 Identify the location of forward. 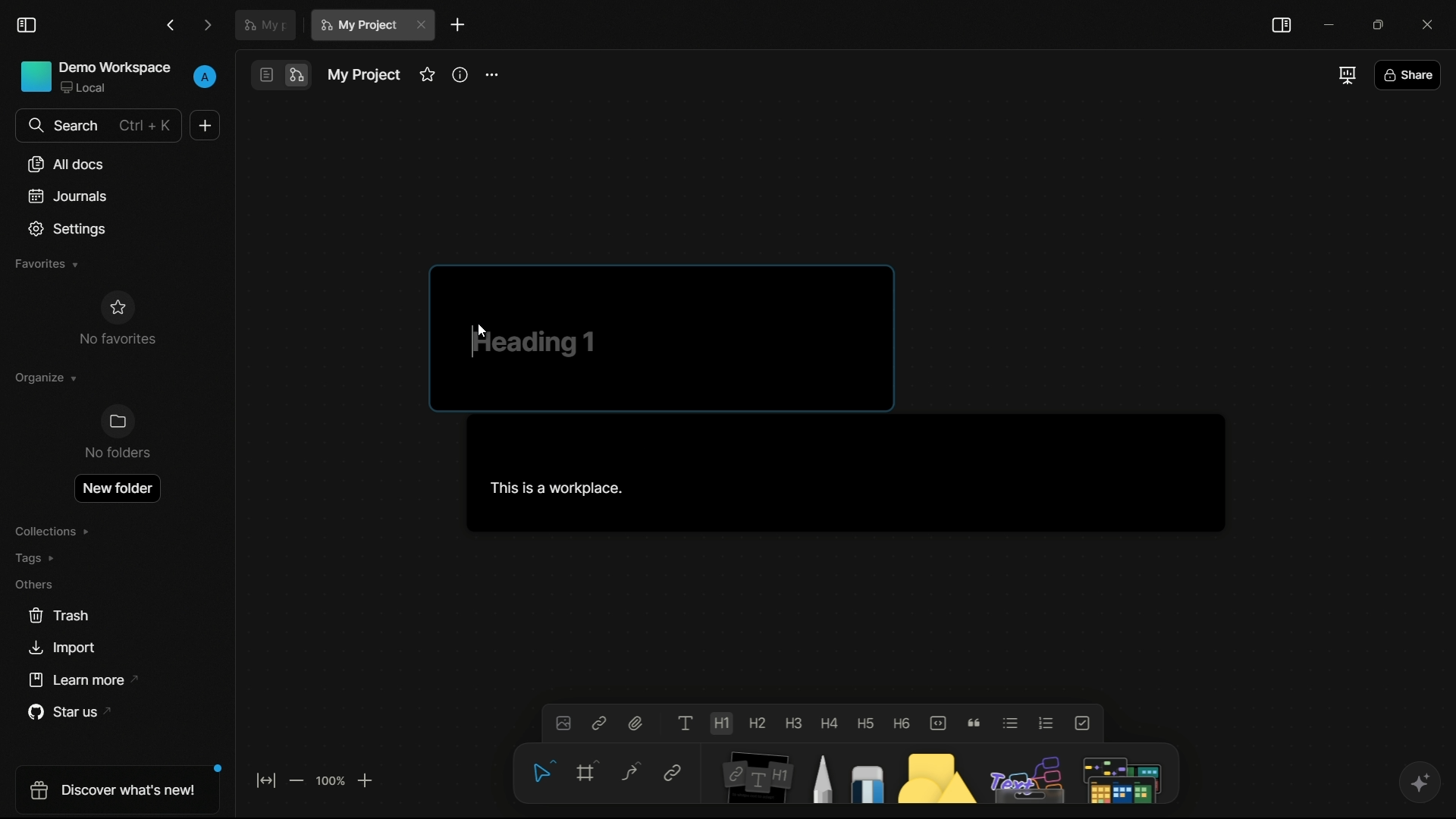
(209, 24).